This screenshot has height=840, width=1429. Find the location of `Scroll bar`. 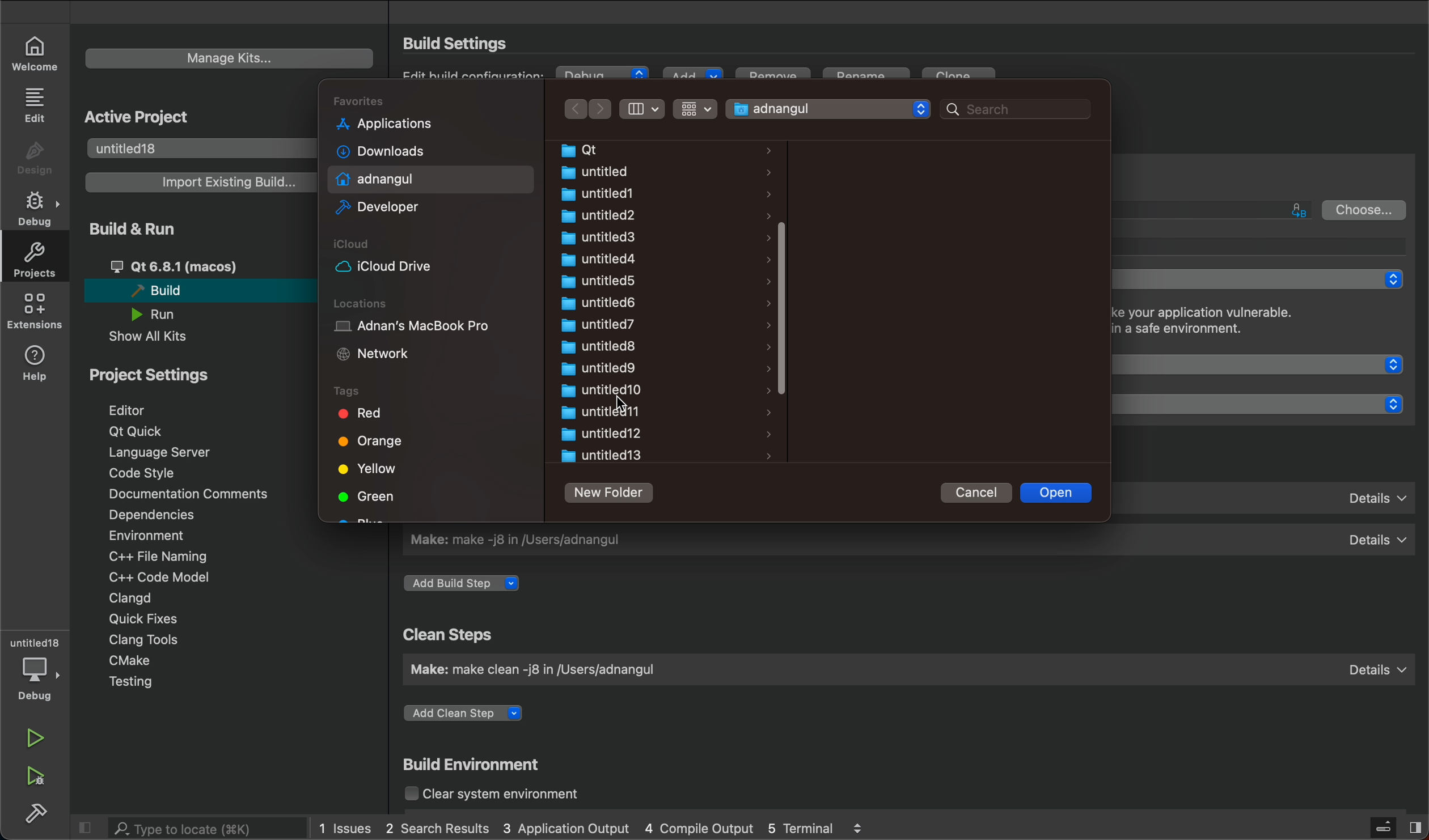

Scroll bar is located at coordinates (788, 306).